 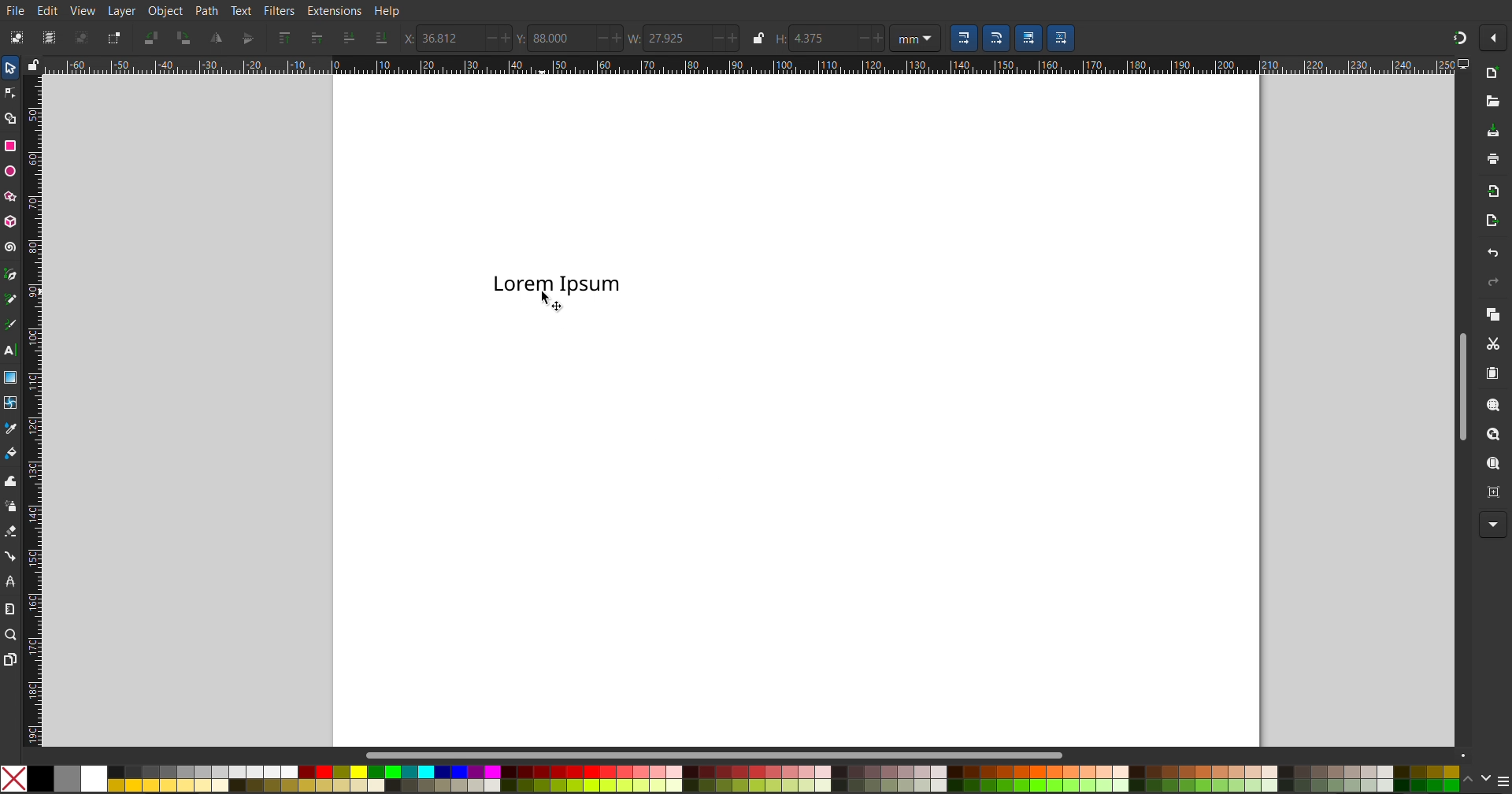 I want to click on Text, so click(x=242, y=10).